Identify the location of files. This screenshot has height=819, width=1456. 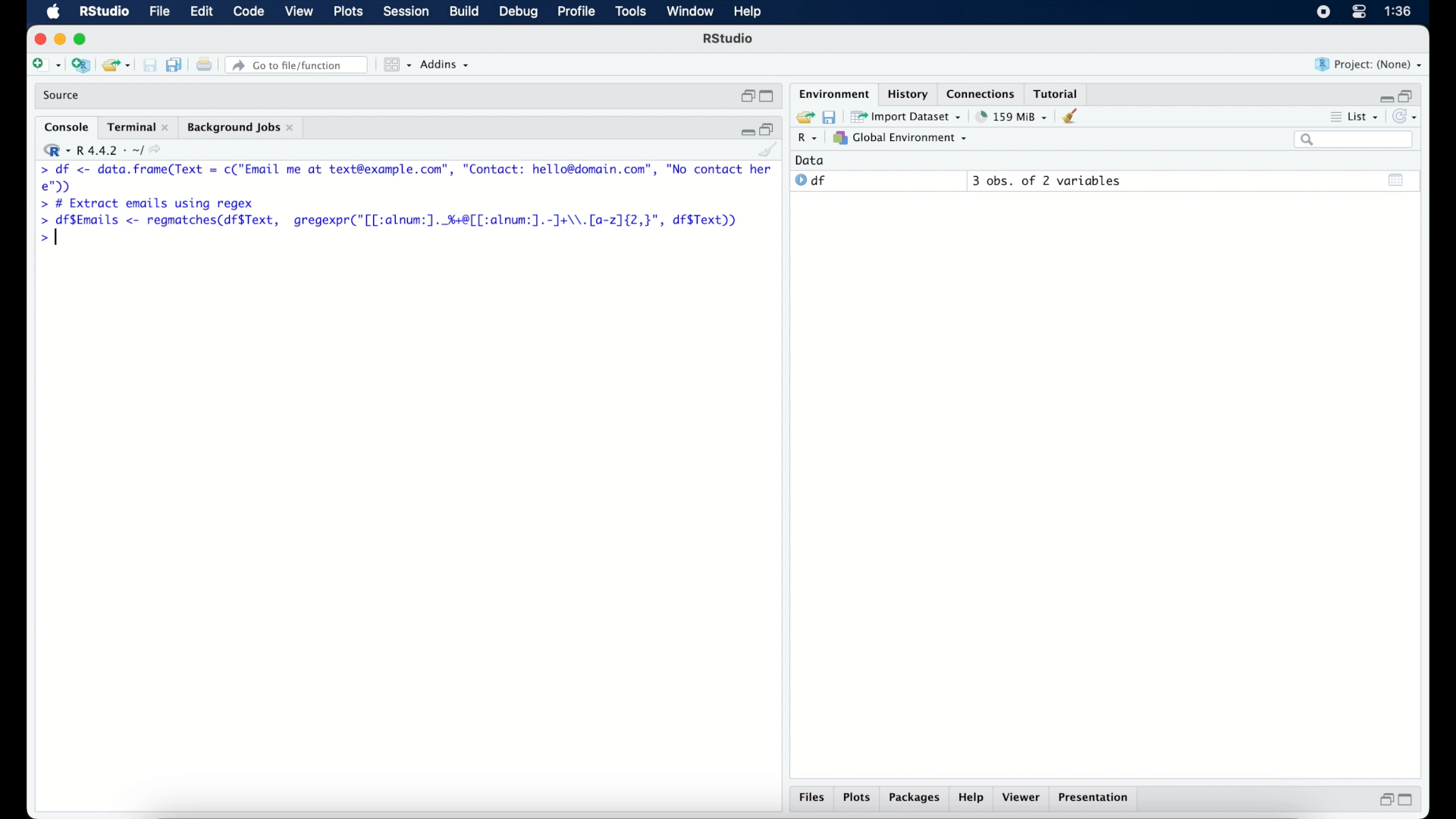
(810, 797).